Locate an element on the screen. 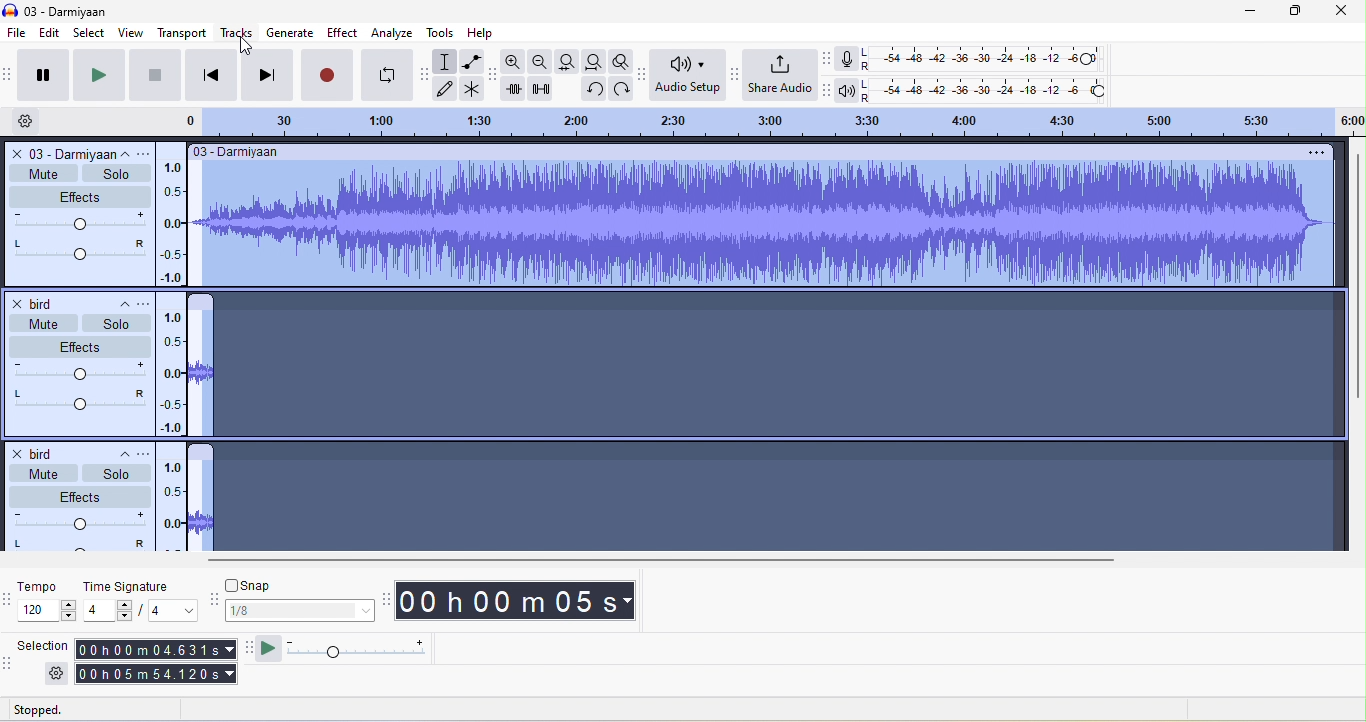 The height and width of the screenshot is (722, 1366). horizontal scroll bar is located at coordinates (656, 559).